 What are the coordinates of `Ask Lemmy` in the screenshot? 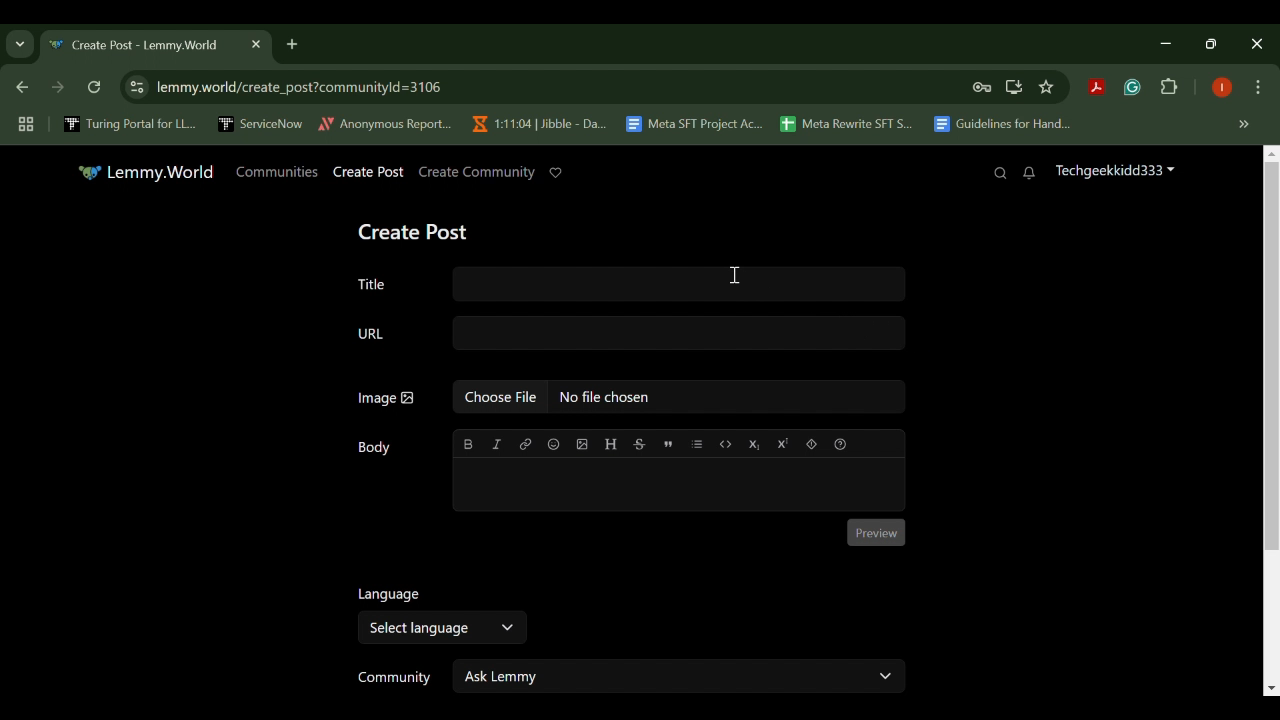 It's located at (680, 675).